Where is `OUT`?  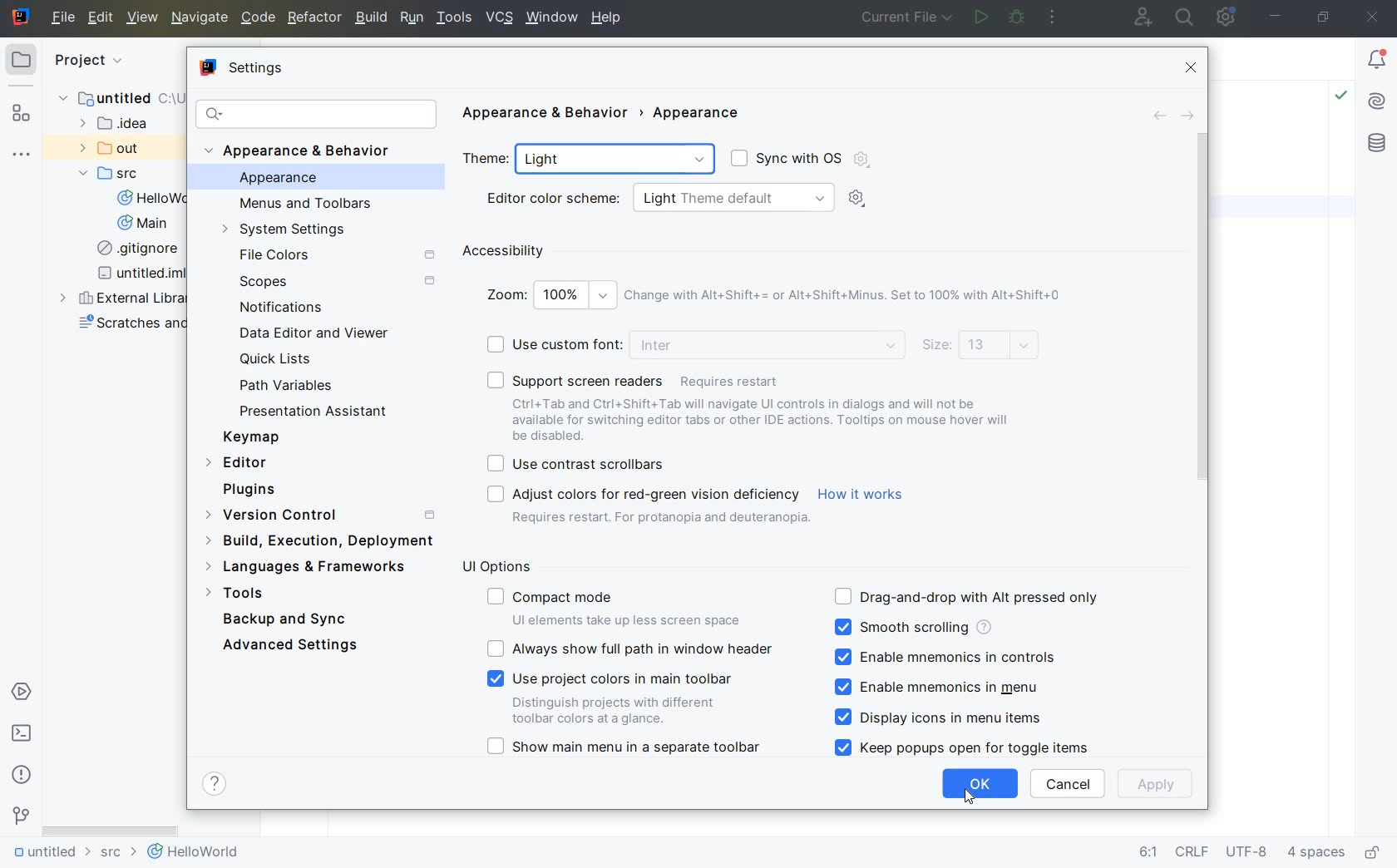 OUT is located at coordinates (115, 149).